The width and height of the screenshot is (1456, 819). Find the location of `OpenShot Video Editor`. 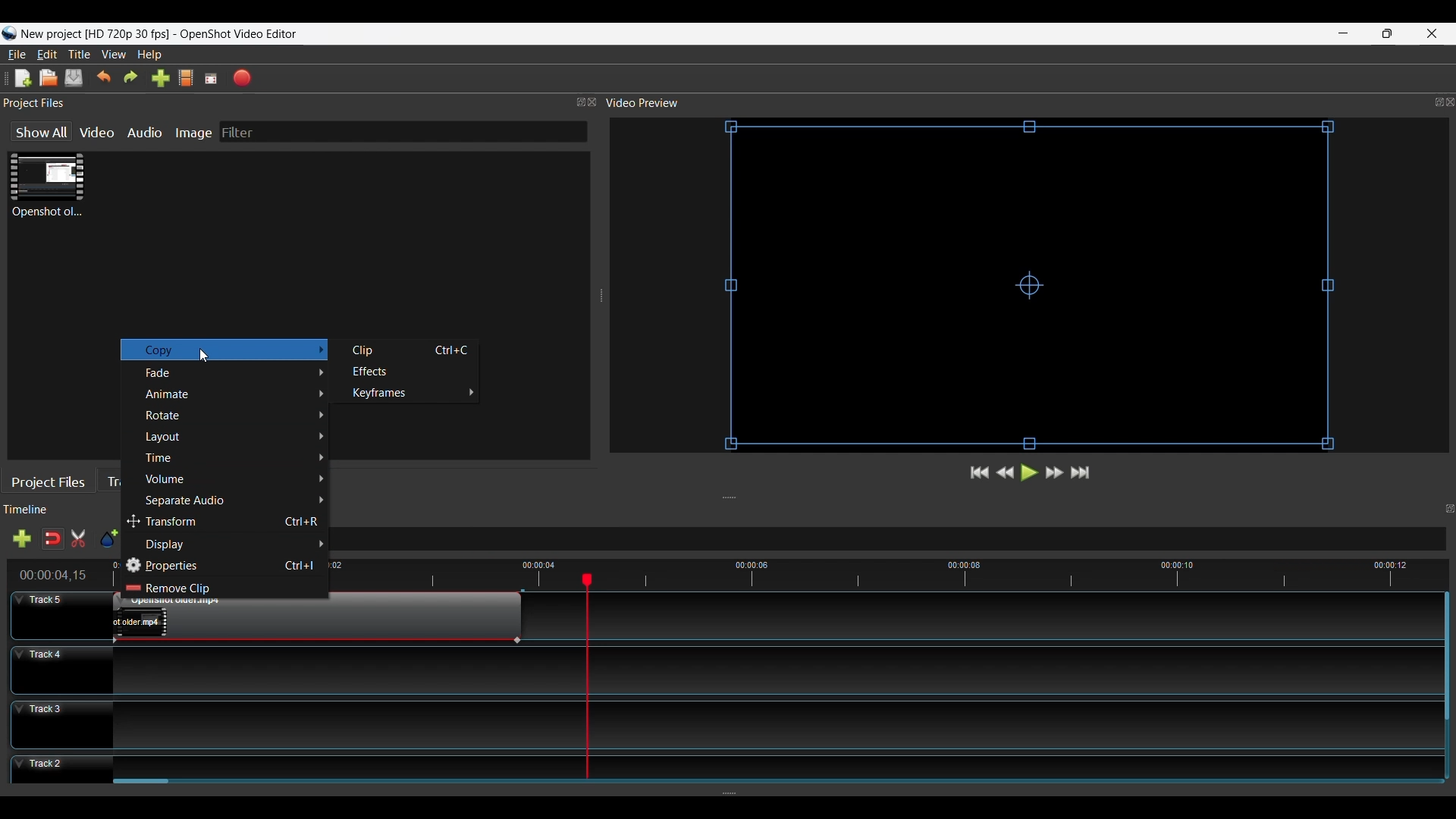

OpenShot Video Editor is located at coordinates (245, 35).